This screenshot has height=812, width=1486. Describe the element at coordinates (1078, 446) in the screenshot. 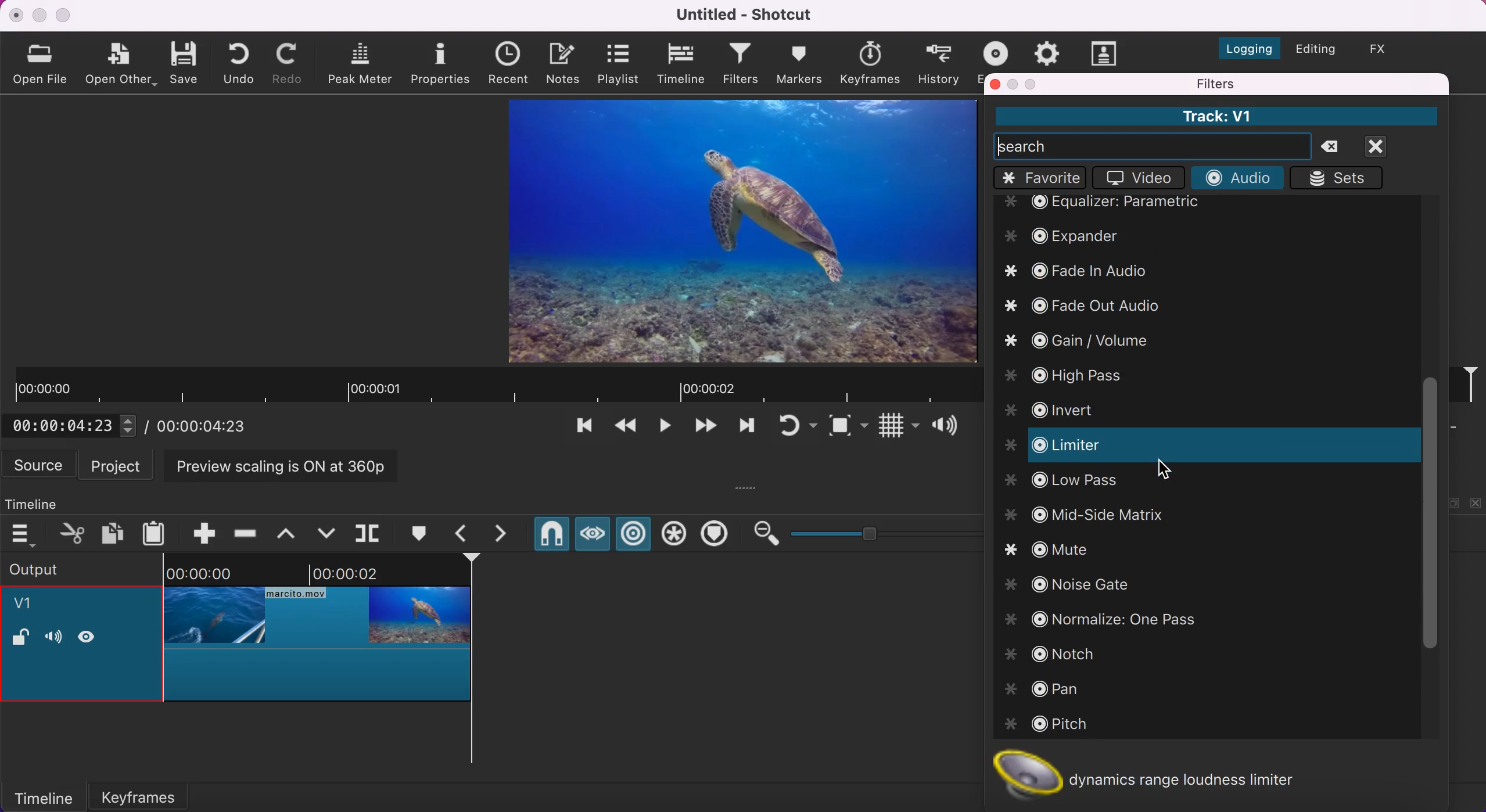

I see `limiter` at that location.